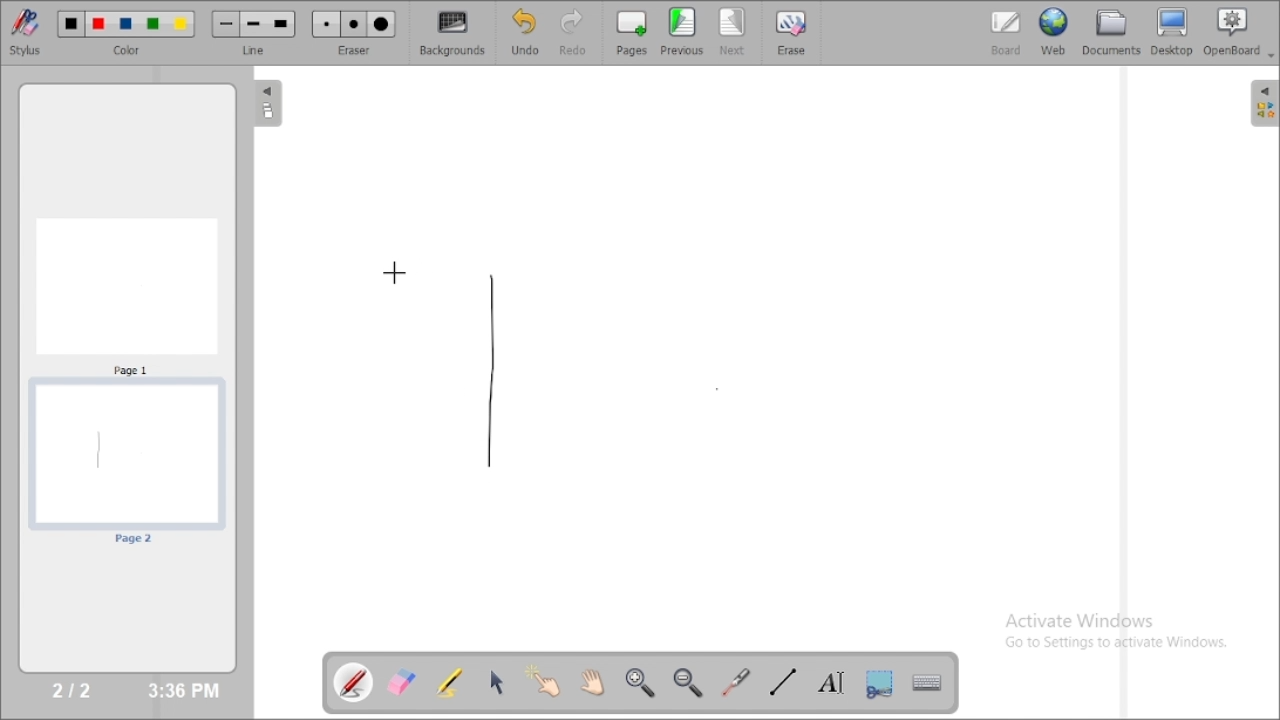 This screenshot has width=1280, height=720. Describe the element at coordinates (736, 682) in the screenshot. I see `virtual laser pointer` at that location.